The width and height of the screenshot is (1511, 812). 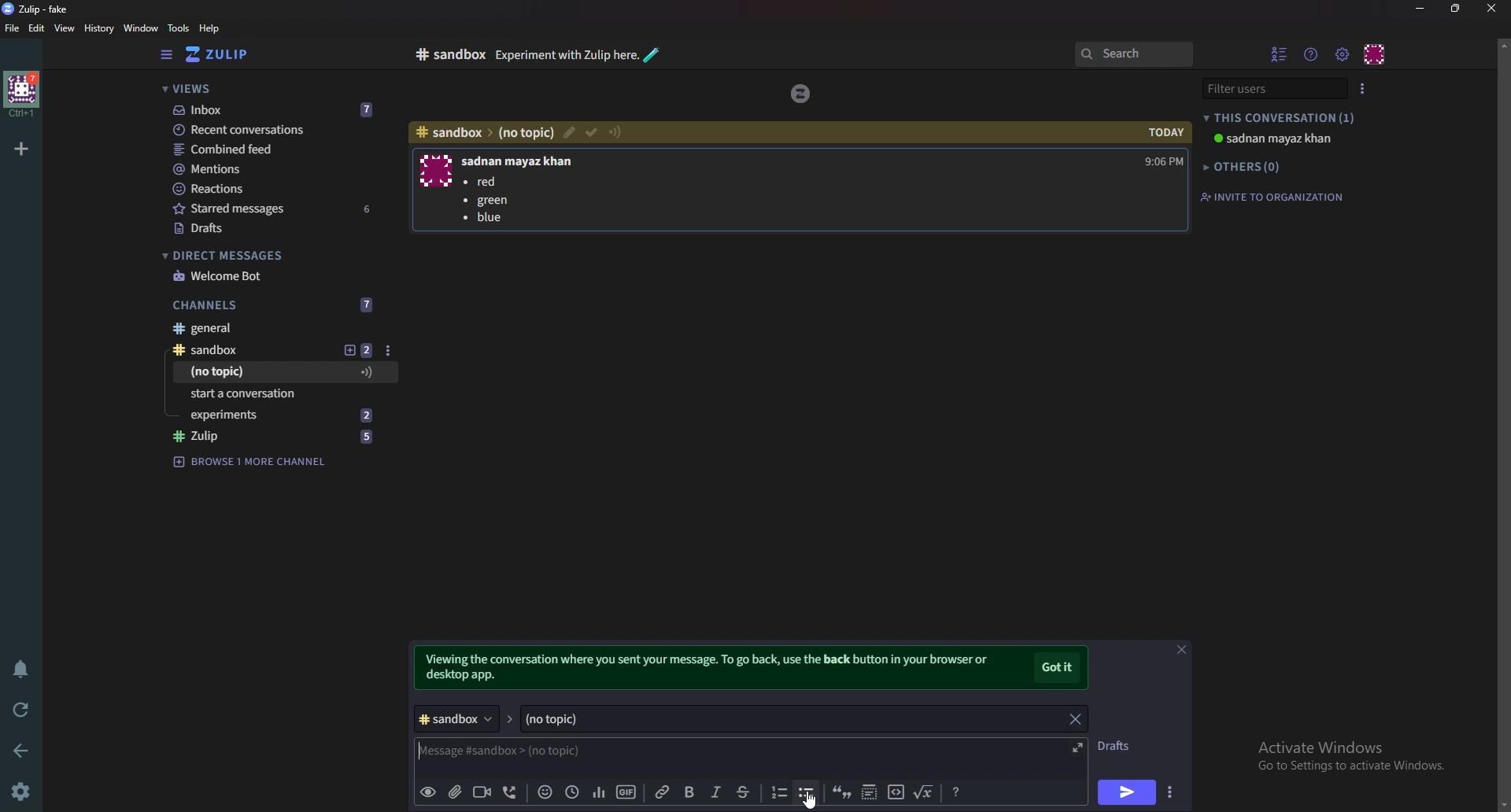 I want to click on Message formatting, so click(x=959, y=790).